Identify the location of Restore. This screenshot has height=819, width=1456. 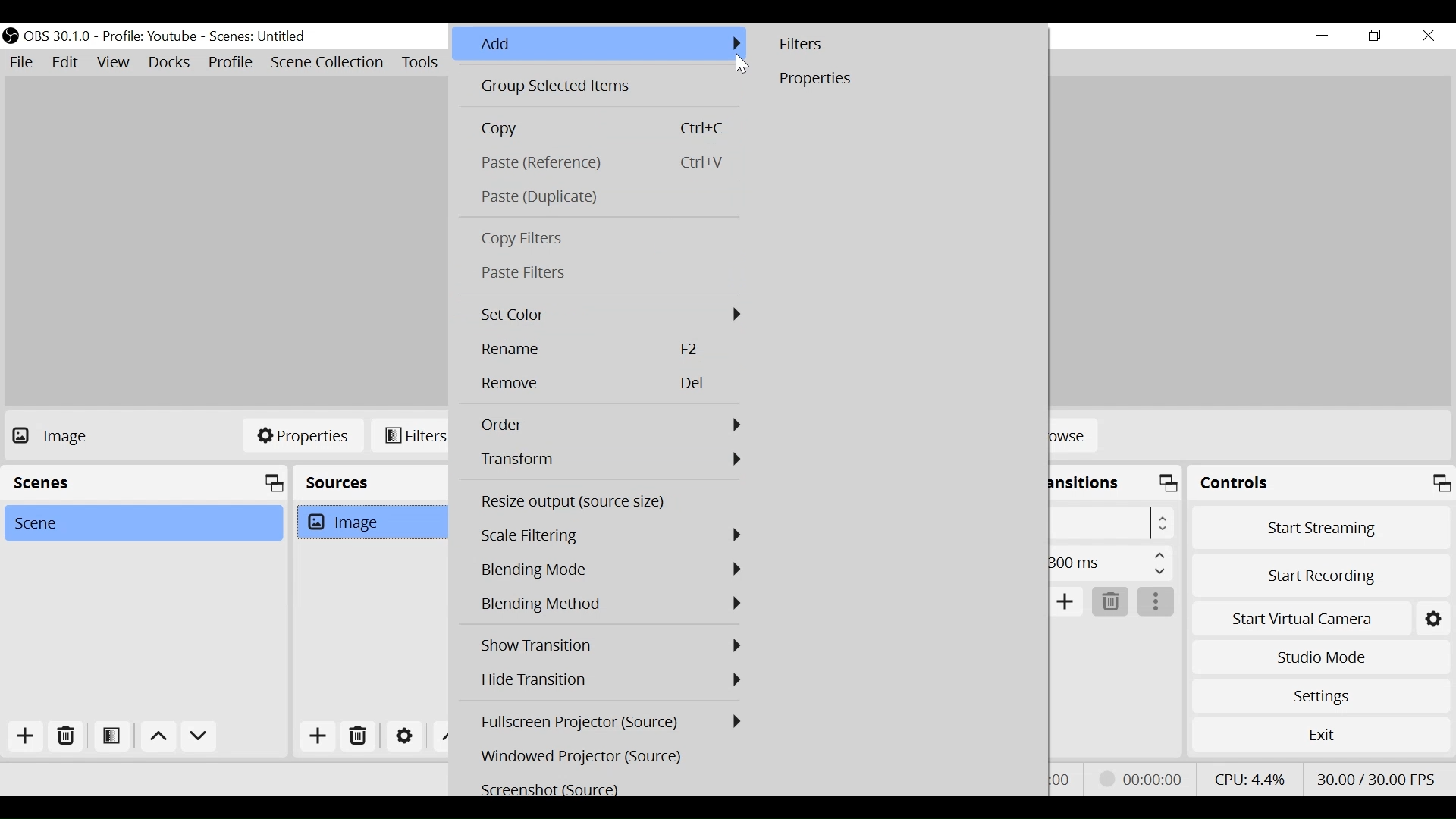
(1378, 36).